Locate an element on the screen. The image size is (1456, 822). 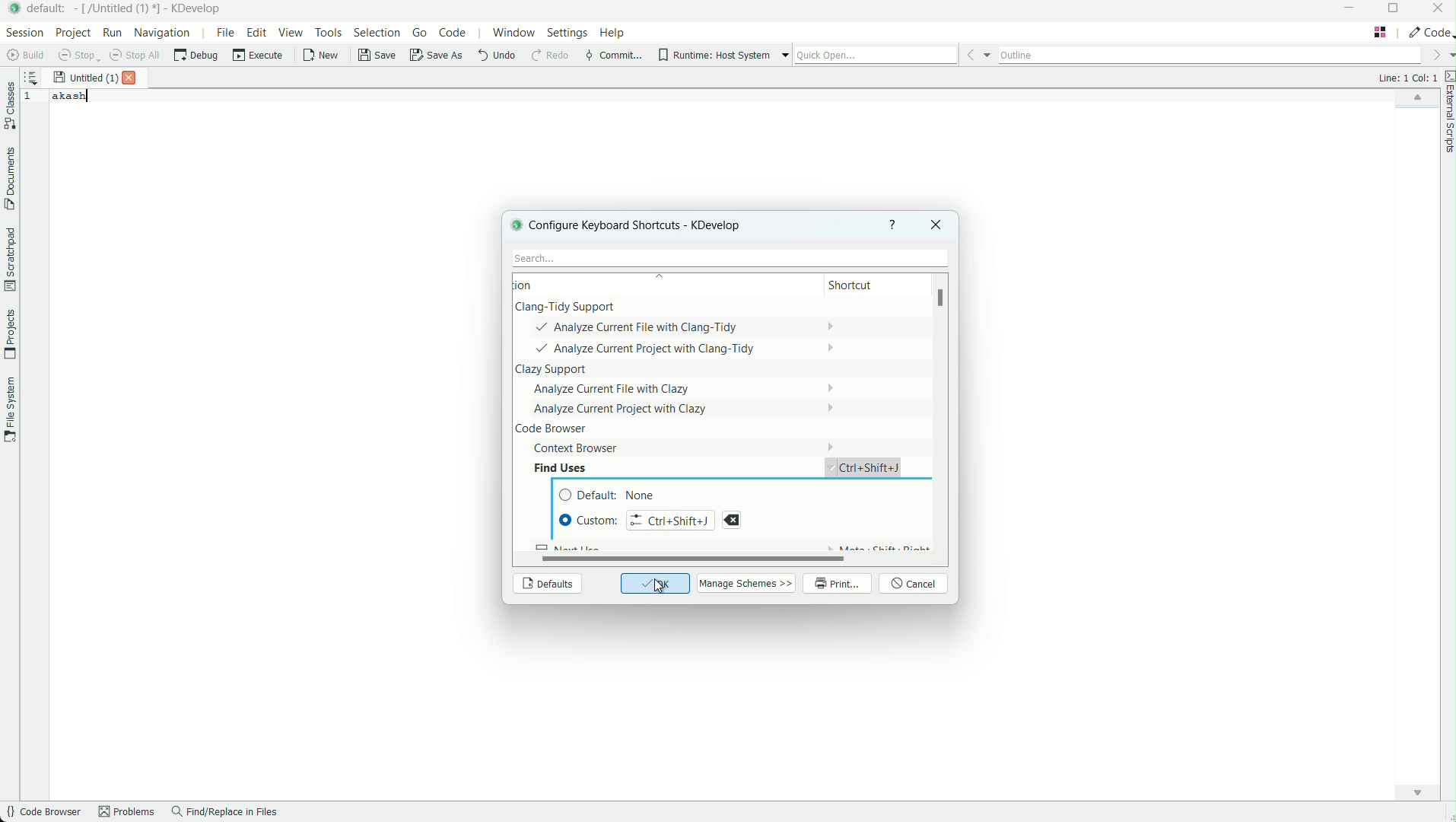
minimize is located at coordinates (1350, 9).